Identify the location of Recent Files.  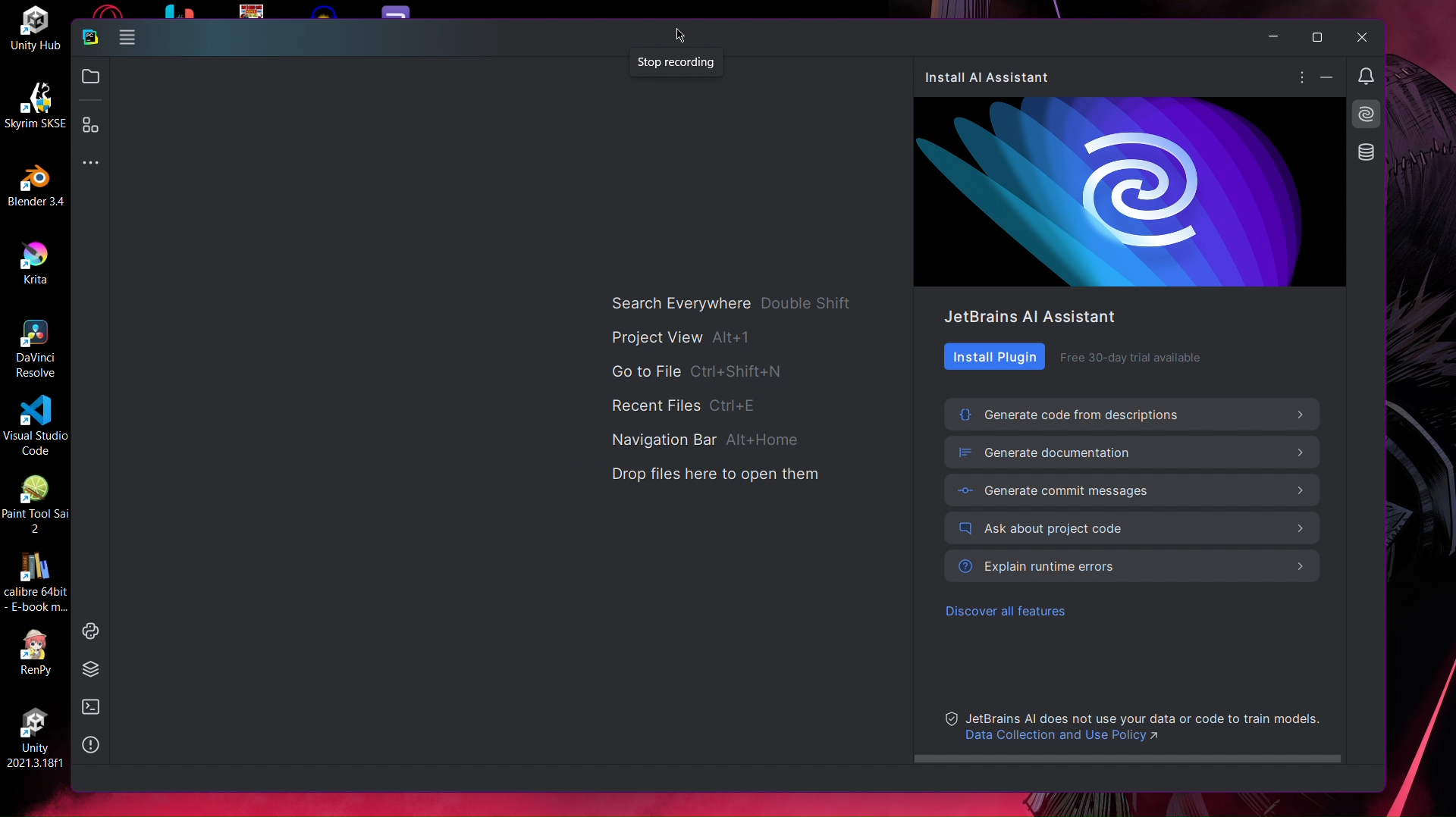
(688, 404).